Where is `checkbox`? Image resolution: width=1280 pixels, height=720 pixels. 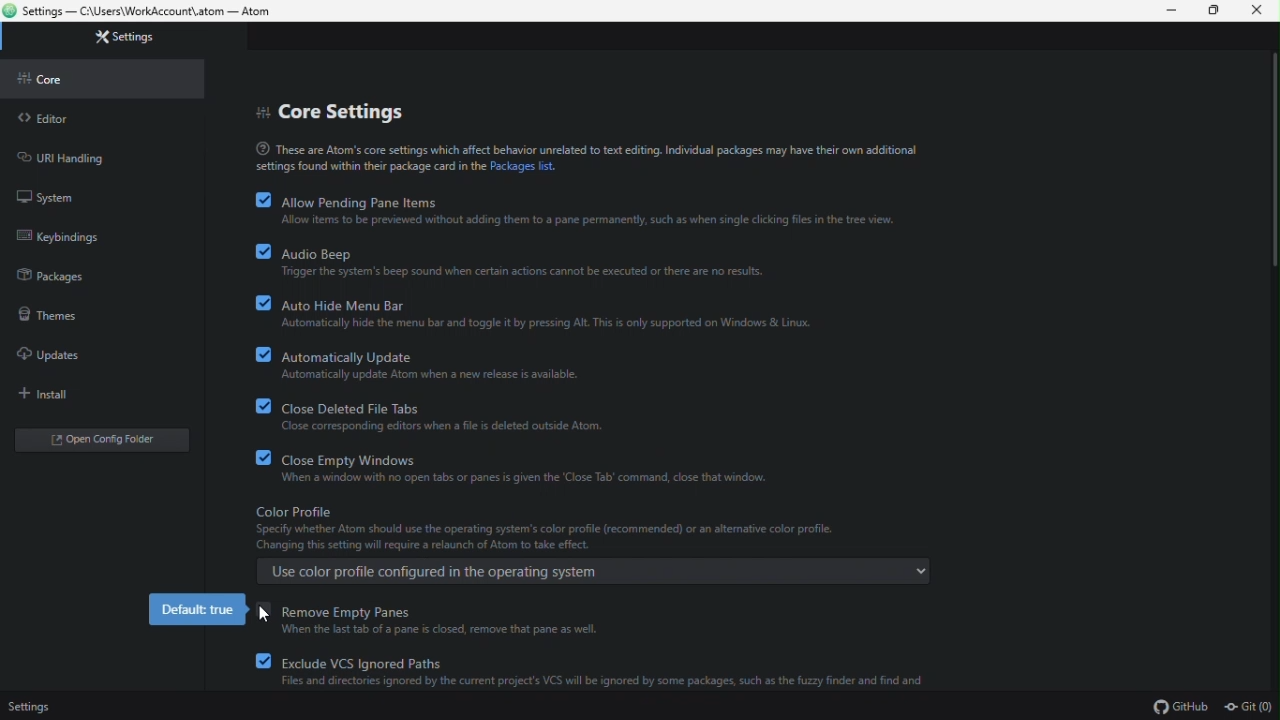
checkbox is located at coordinates (255, 302).